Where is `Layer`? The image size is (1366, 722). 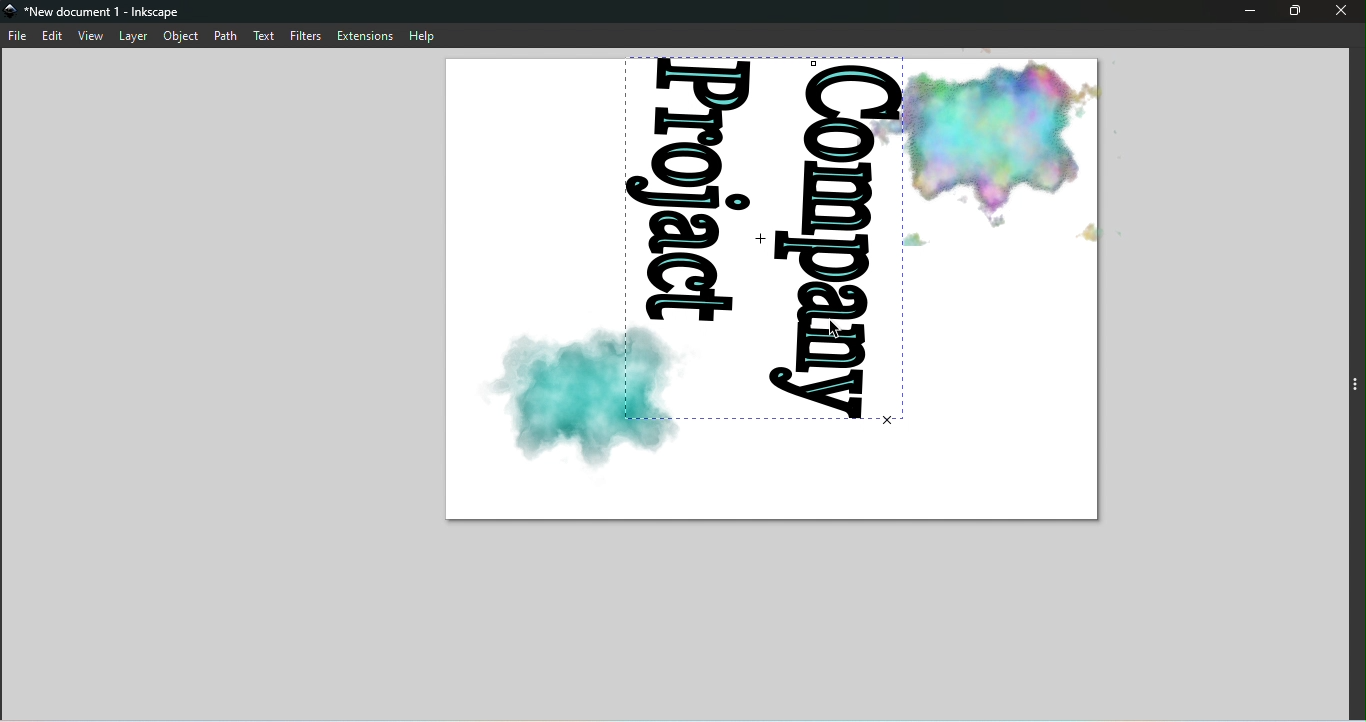
Layer is located at coordinates (133, 37).